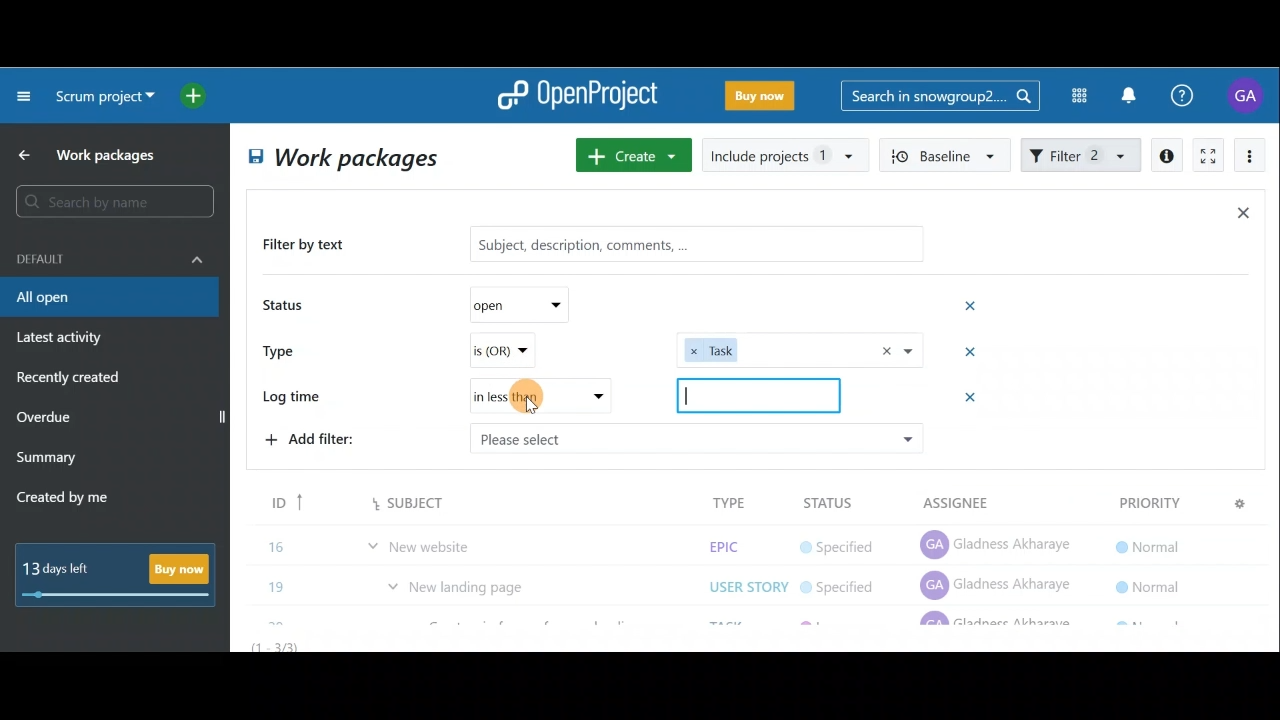 This screenshot has height=720, width=1280. Describe the element at coordinates (102, 98) in the screenshot. I see `Project name` at that location.